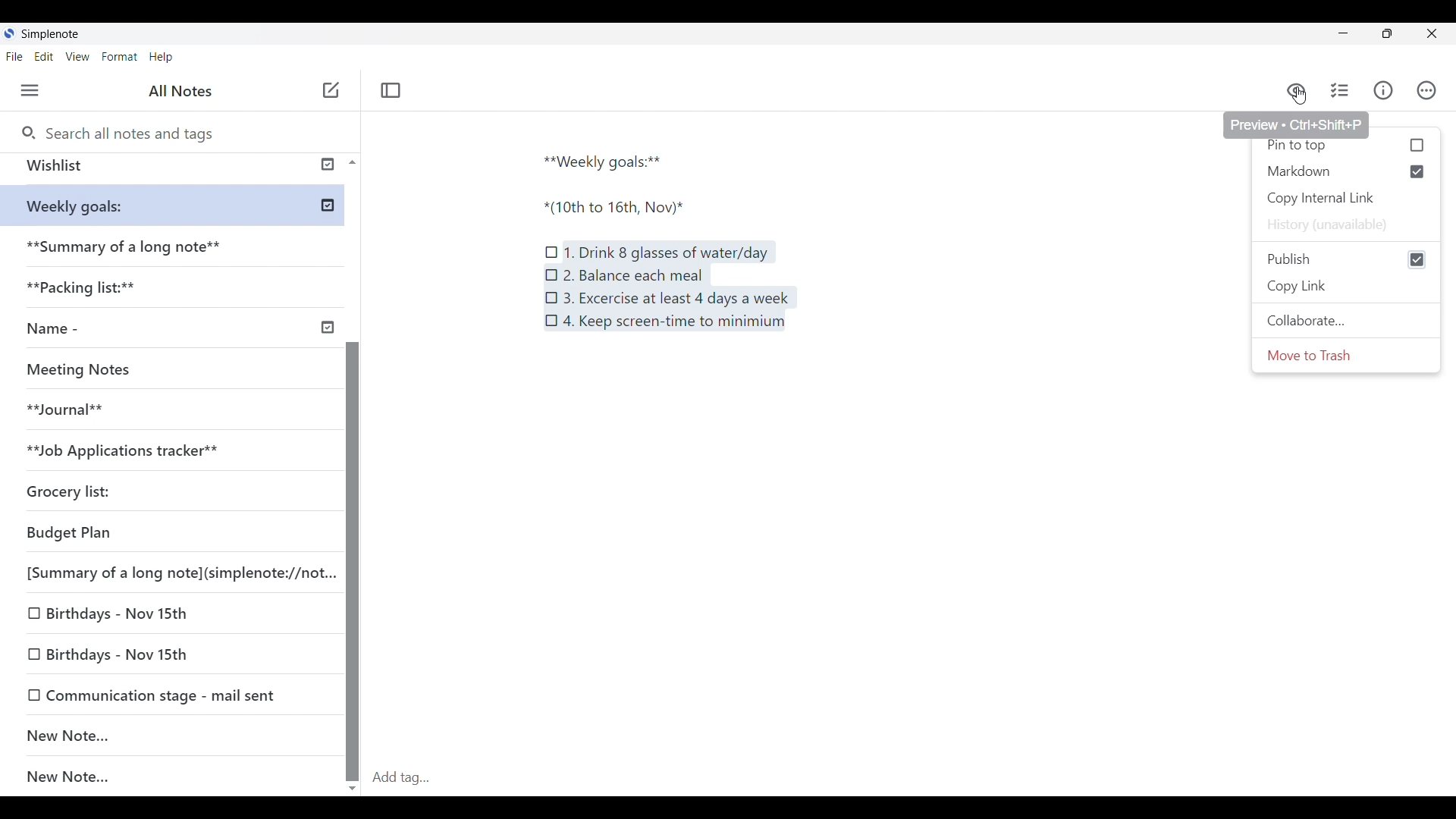 The height and width of the screenshot is (819, 1456). I want to click on **Packaging list:**, so click(94, 292).